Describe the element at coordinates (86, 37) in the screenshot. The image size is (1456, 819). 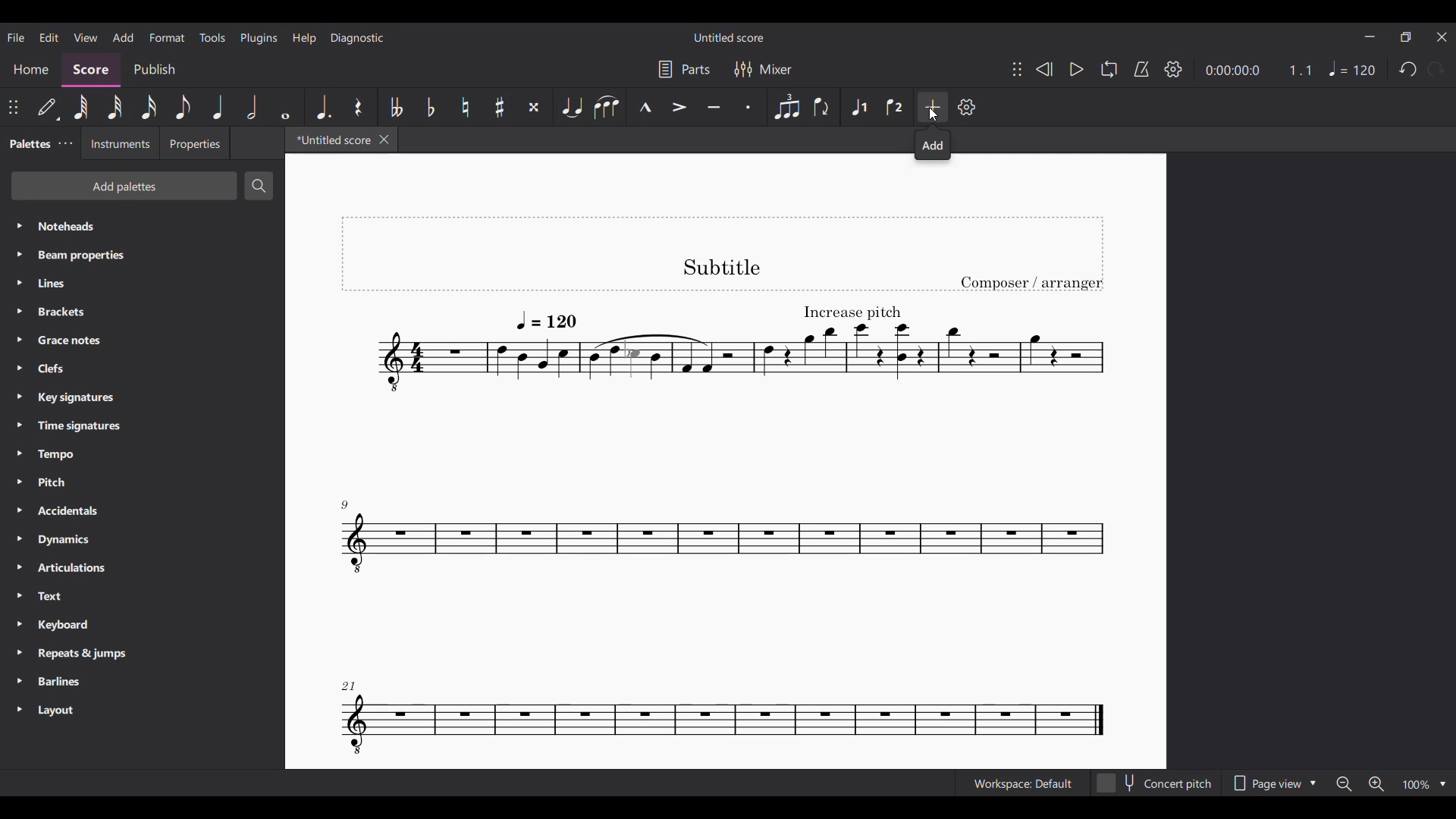
I see `View menu ` at that location.